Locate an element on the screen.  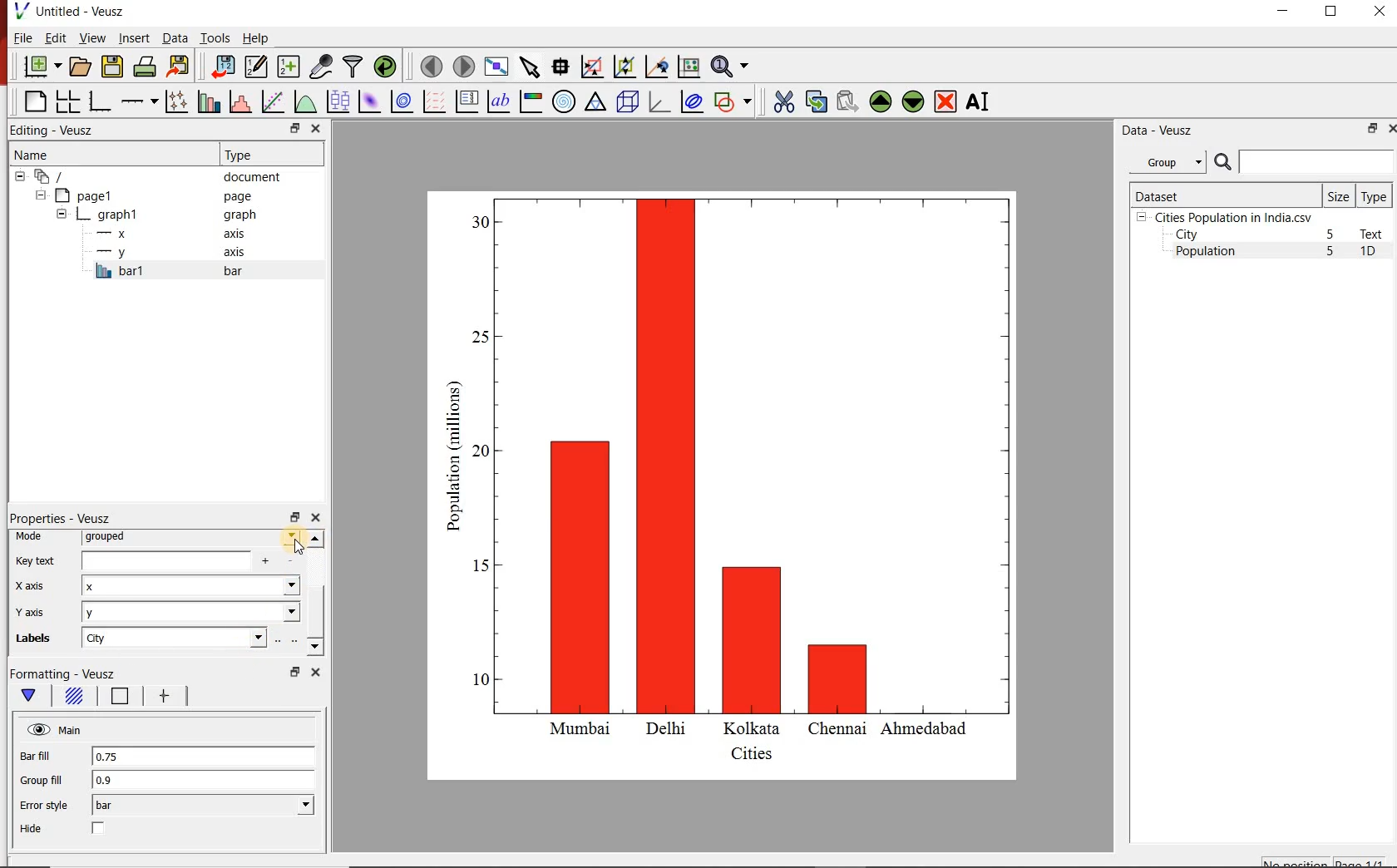
click to recenter graph axes is located at coordinates (655, 67).